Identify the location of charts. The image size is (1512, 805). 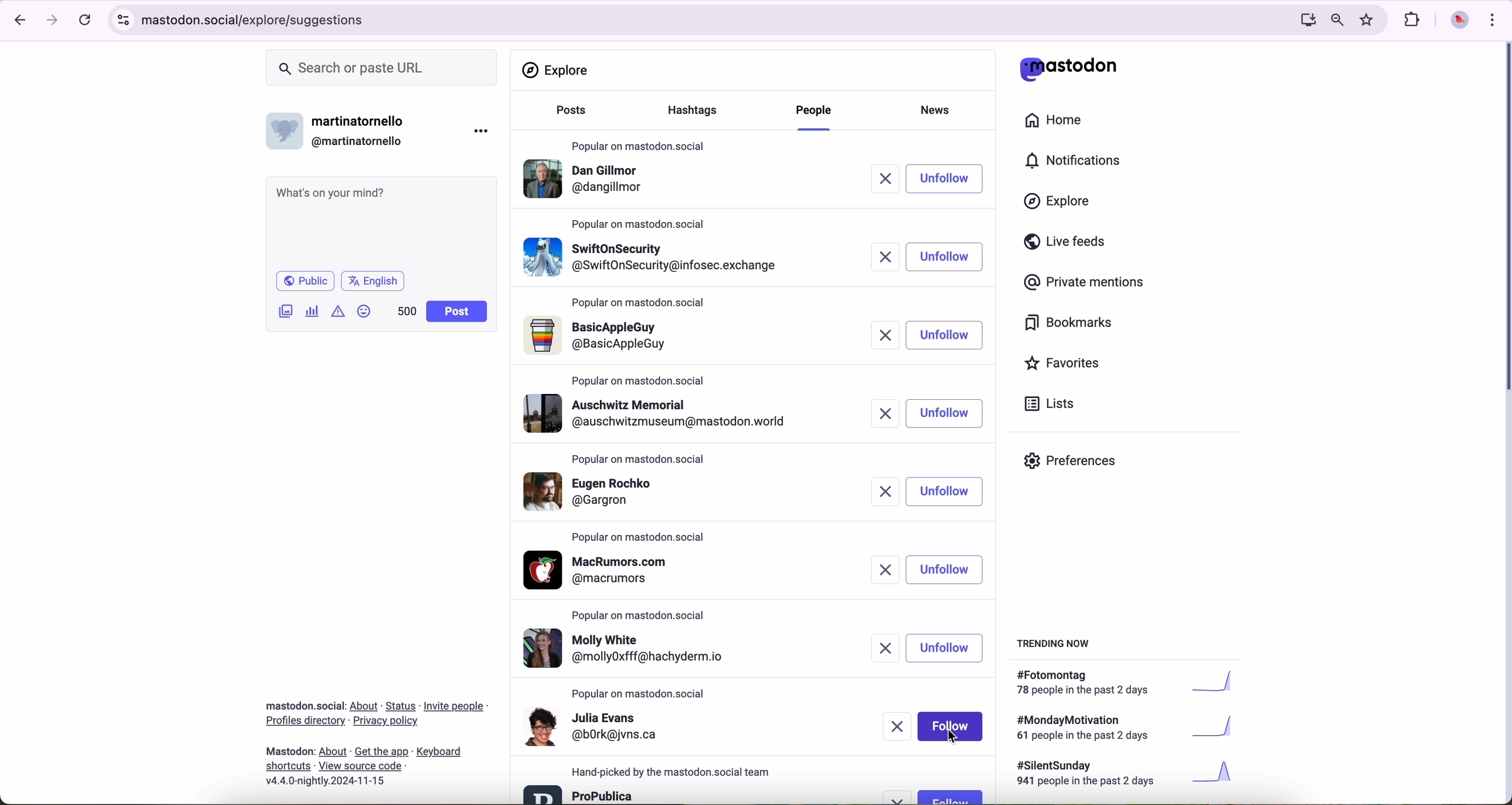
(315, 311).